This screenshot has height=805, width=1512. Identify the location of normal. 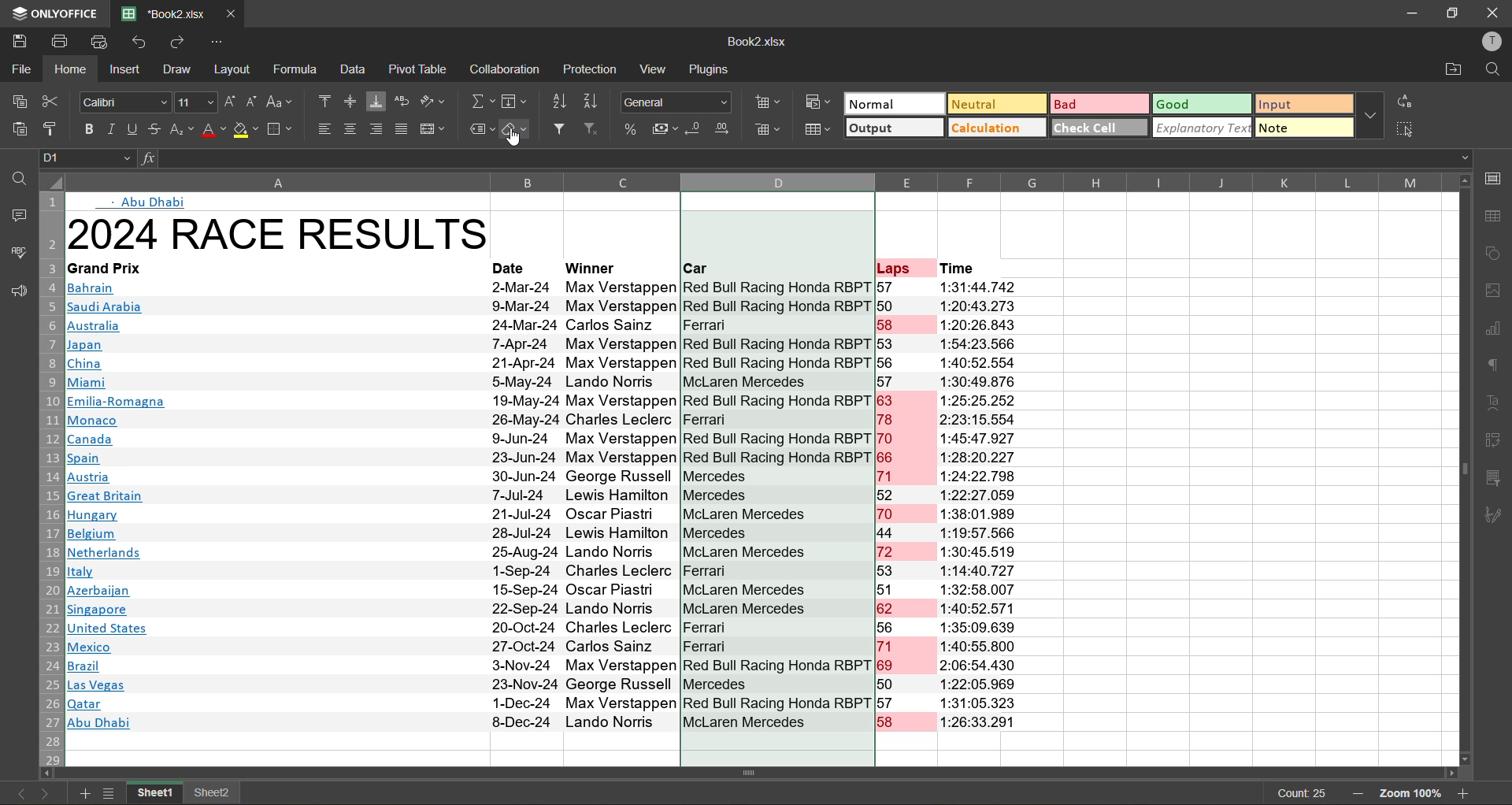
(896, 103).